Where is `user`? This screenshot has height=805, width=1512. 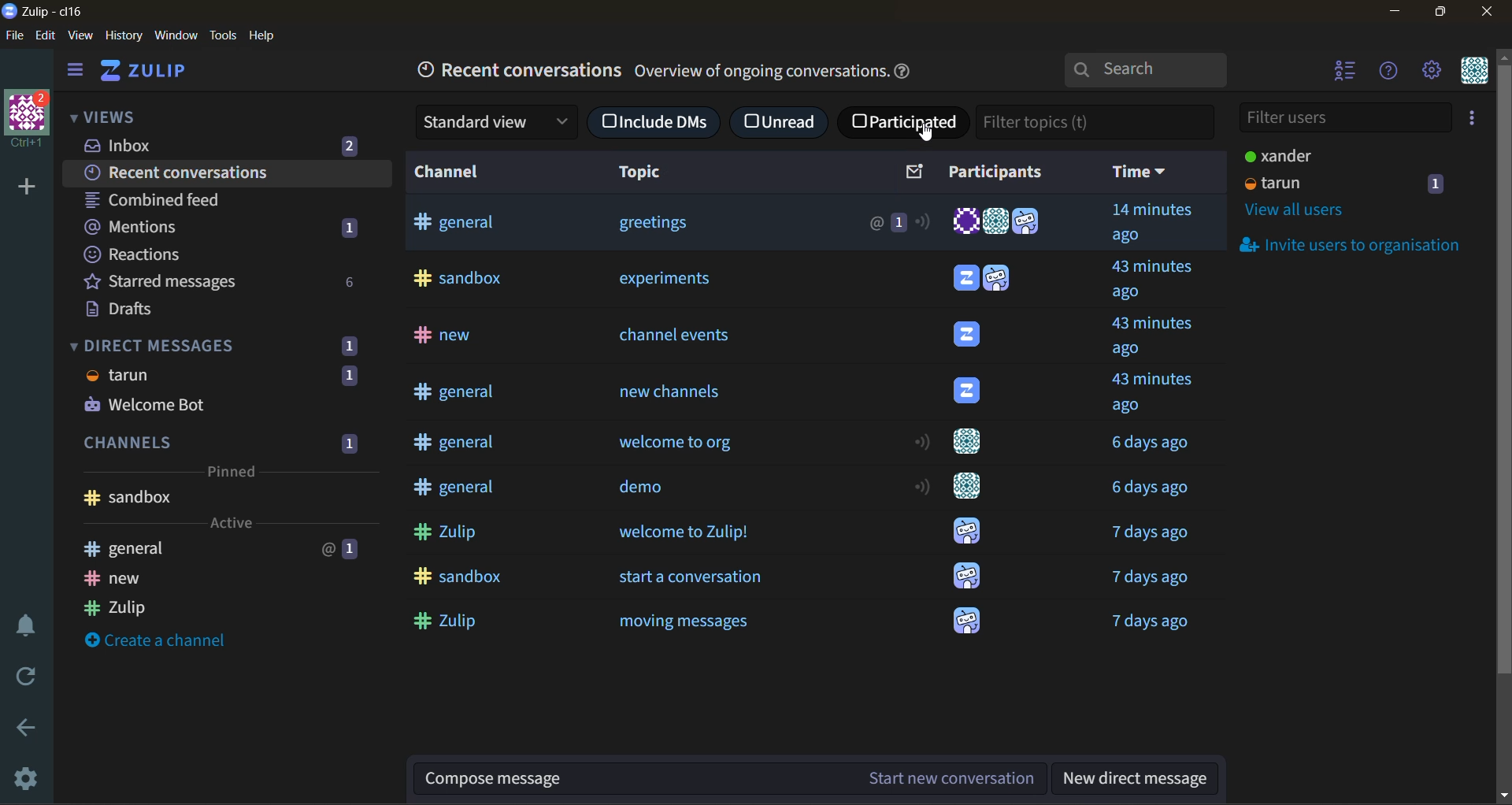
user is located at coordinates (969, 576).